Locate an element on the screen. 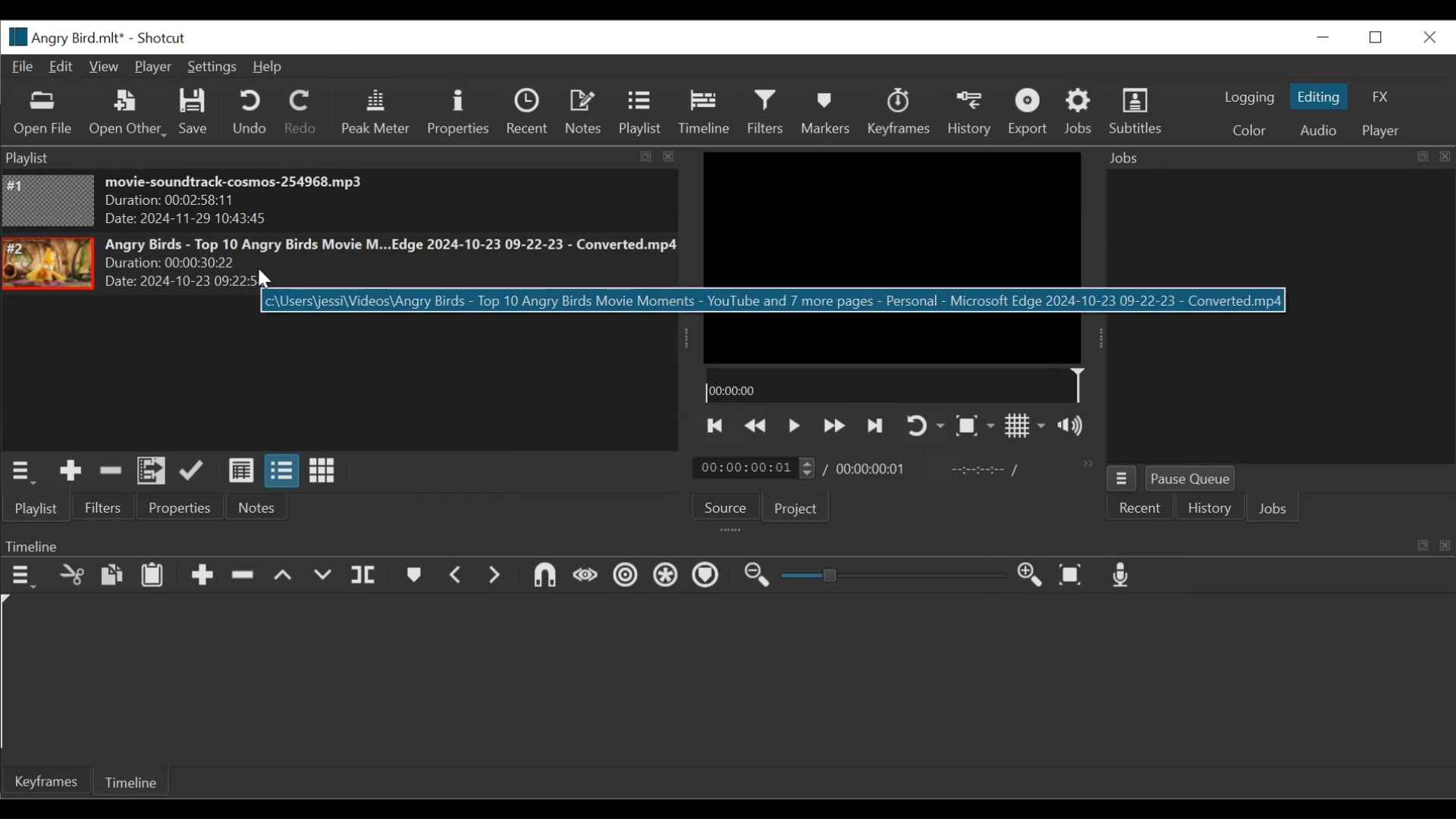  00:00:00(Timeline) is located at coordinates (893, 387).